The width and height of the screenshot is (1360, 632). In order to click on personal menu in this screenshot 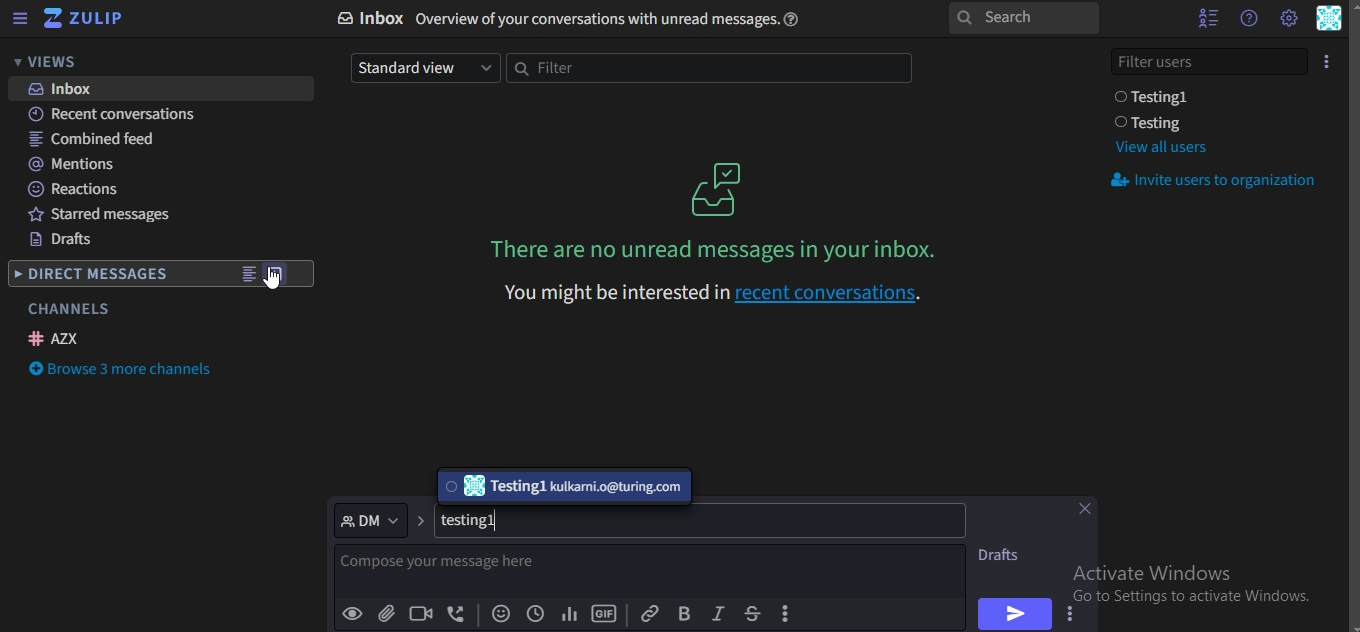, I will do `click(1330, 20)`.